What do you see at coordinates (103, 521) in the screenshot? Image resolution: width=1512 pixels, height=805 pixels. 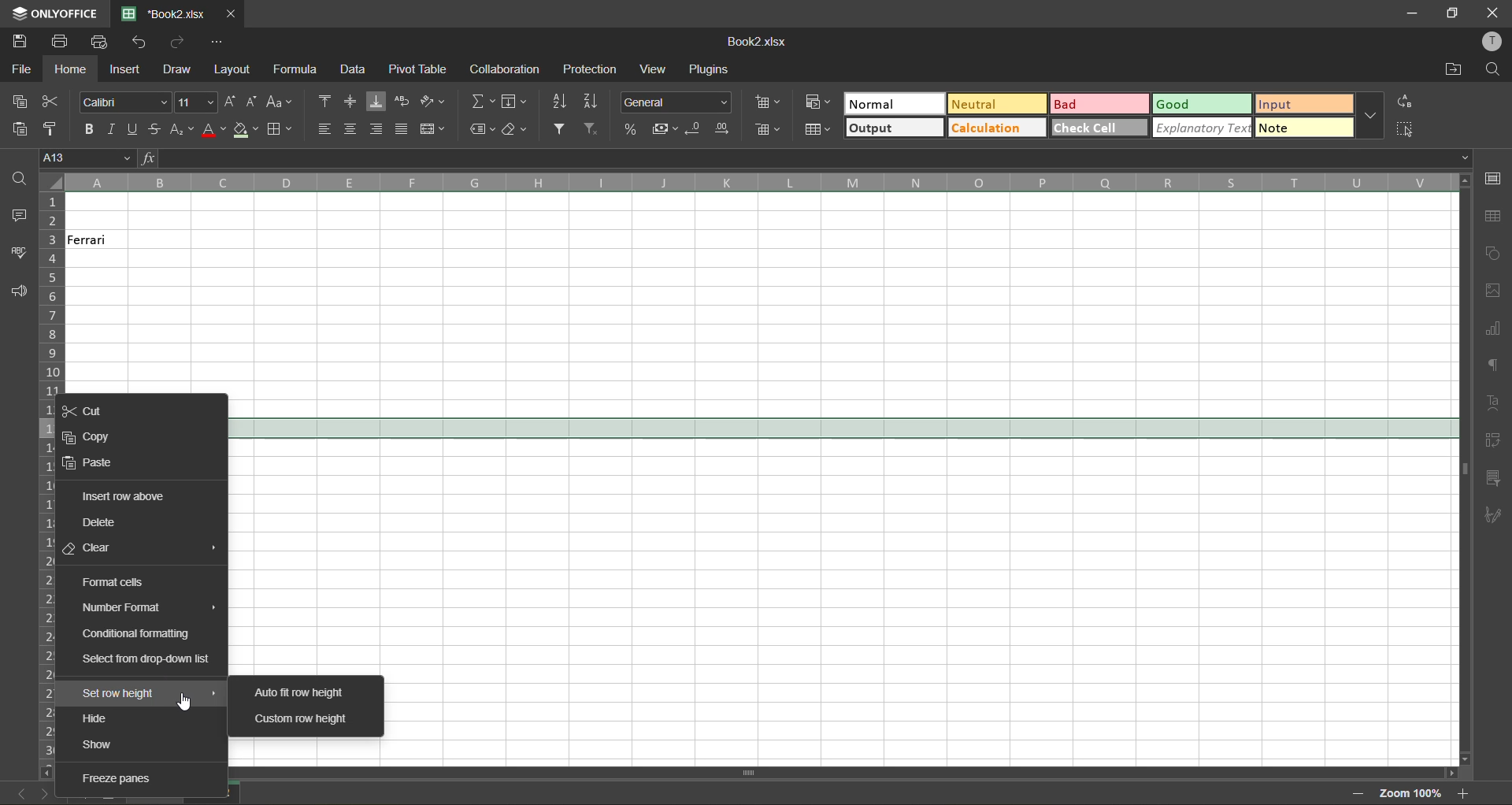 I see `delete` at bounding box center [103, 521].